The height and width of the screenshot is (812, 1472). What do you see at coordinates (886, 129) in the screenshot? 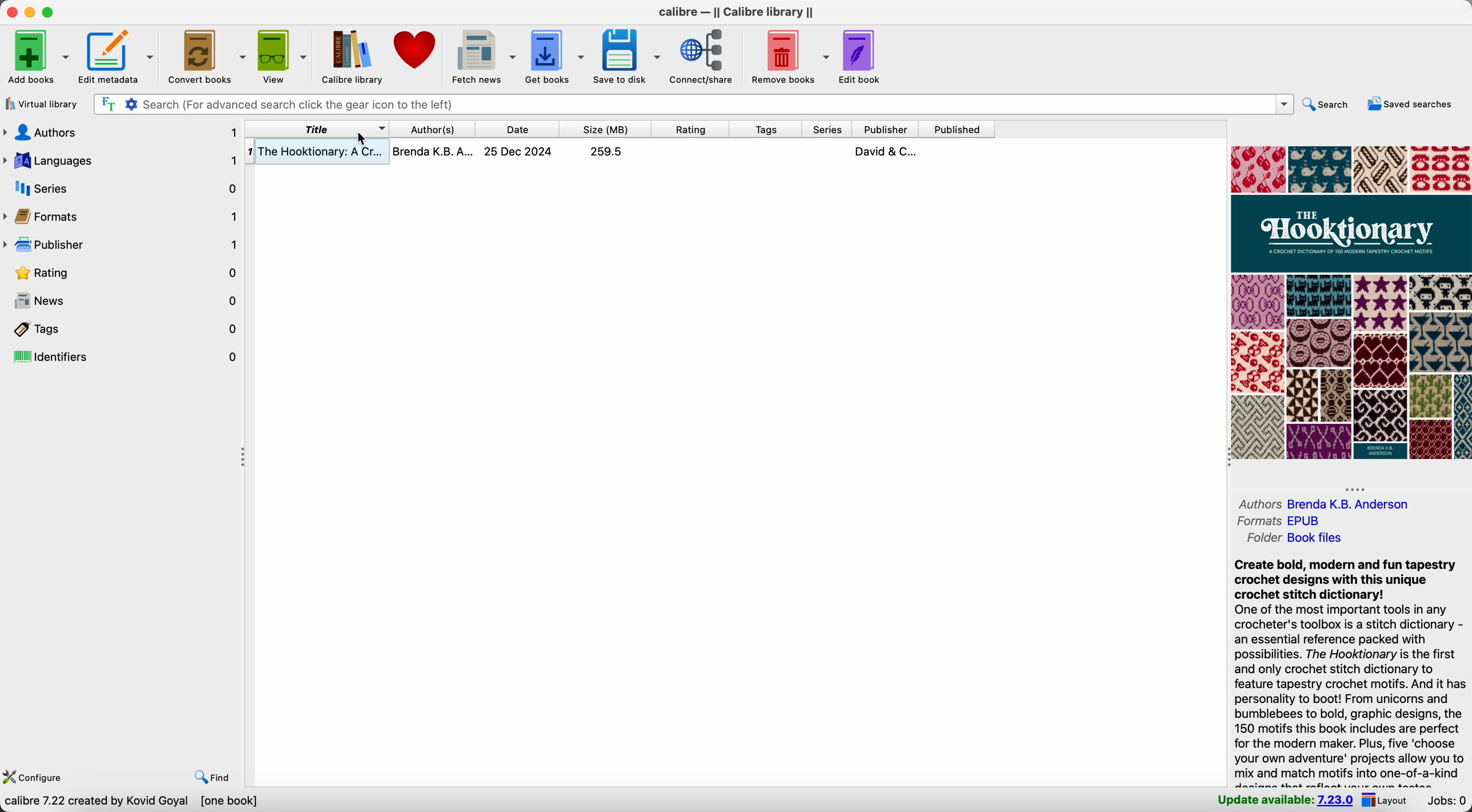
I see `publisher` at bounding box center [886, 129].